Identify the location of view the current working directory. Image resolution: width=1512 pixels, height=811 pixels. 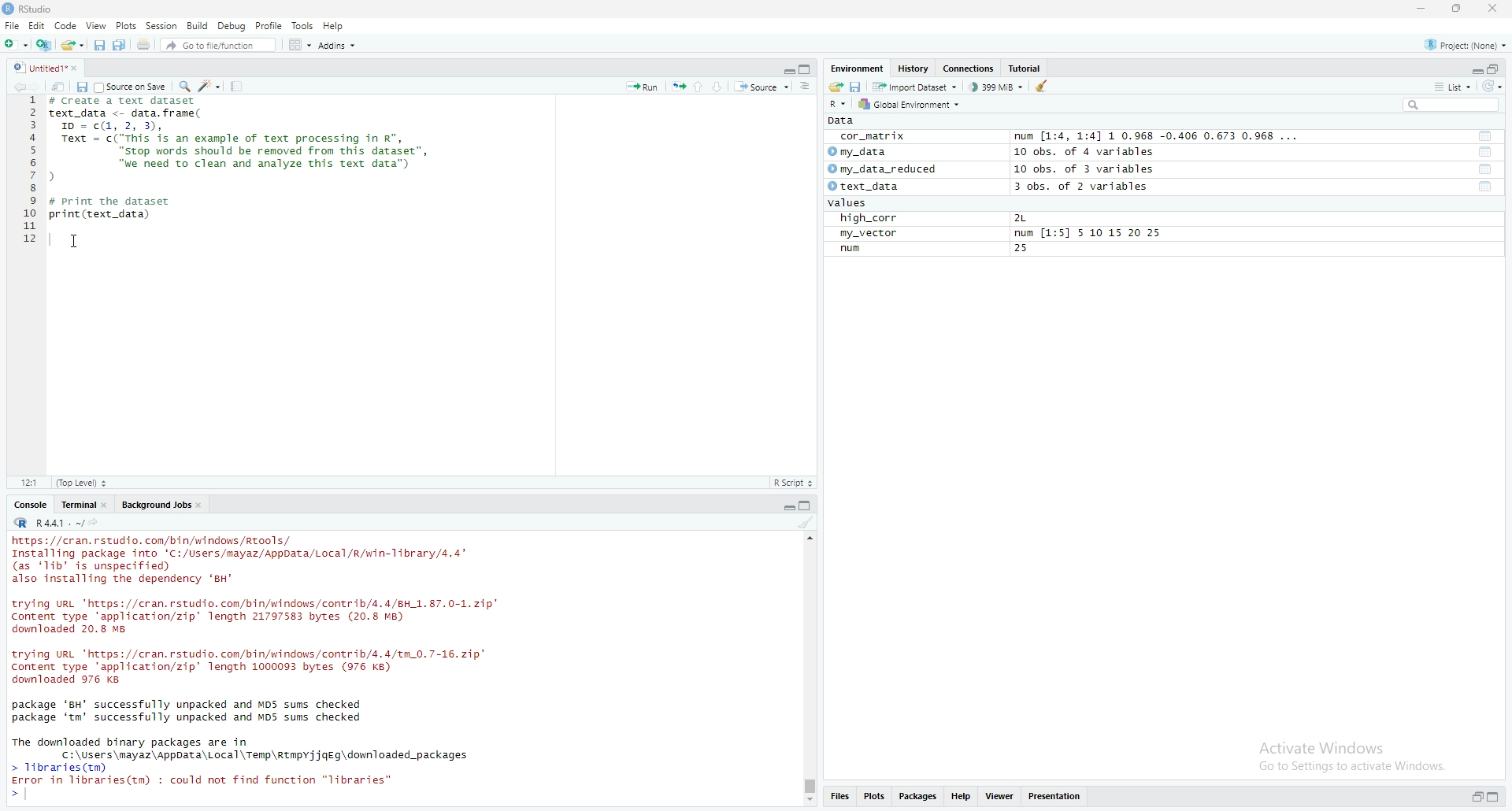
(97, 524).